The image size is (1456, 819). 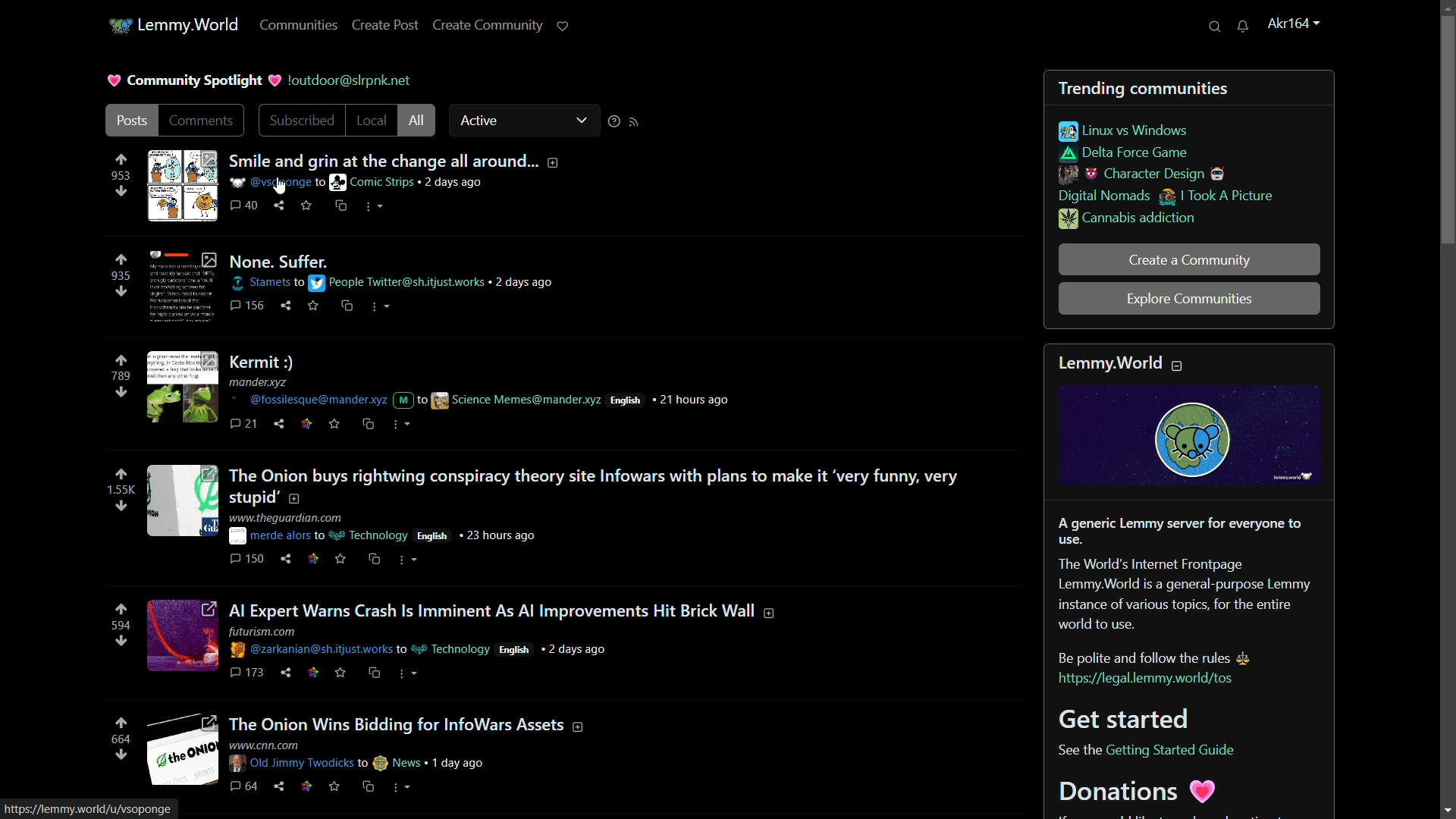 What do you see at coordinates (244, 424) in the screenshot?
I see `comment` at bounding box center [244, 424].